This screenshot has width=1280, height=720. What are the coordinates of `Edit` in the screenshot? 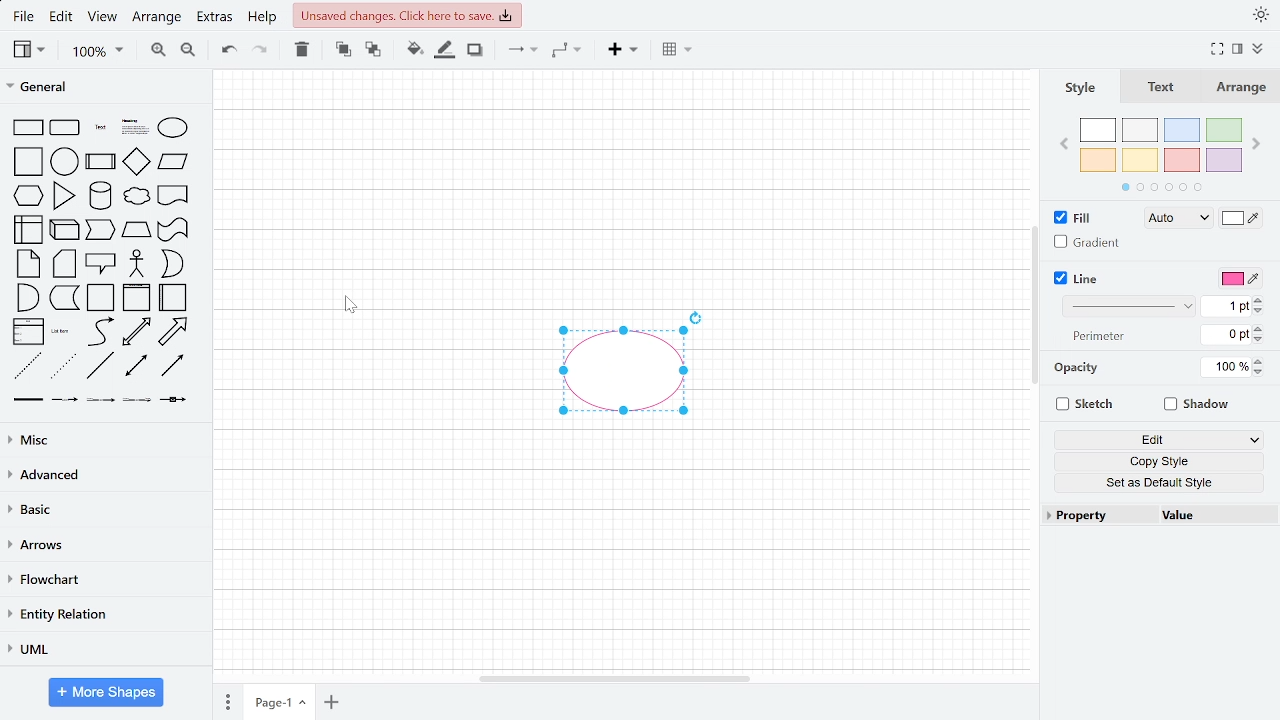 It's located at (1162, 441).